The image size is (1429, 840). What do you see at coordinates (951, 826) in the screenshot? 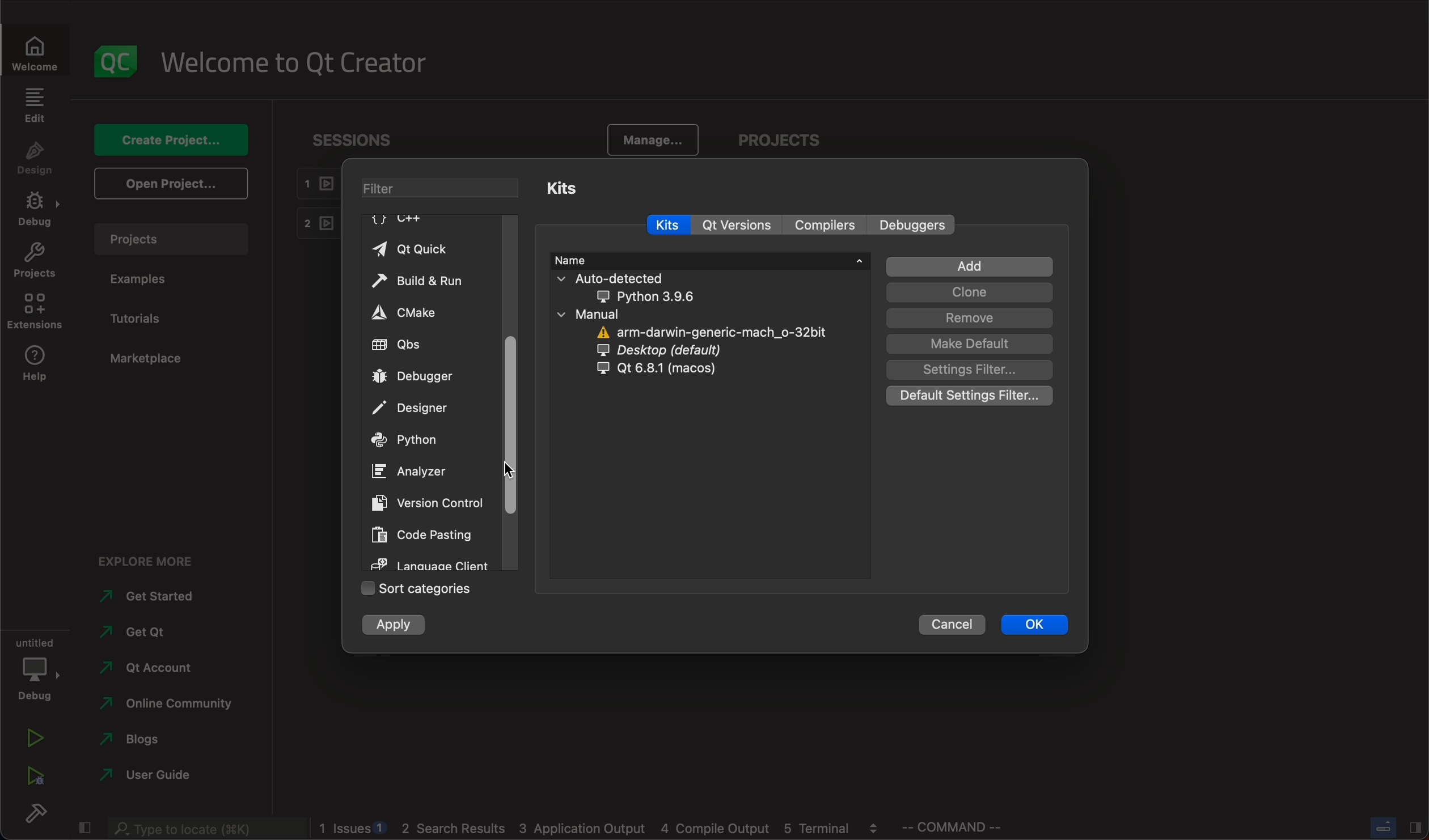
I see `command` at bounding box center [951, 826].